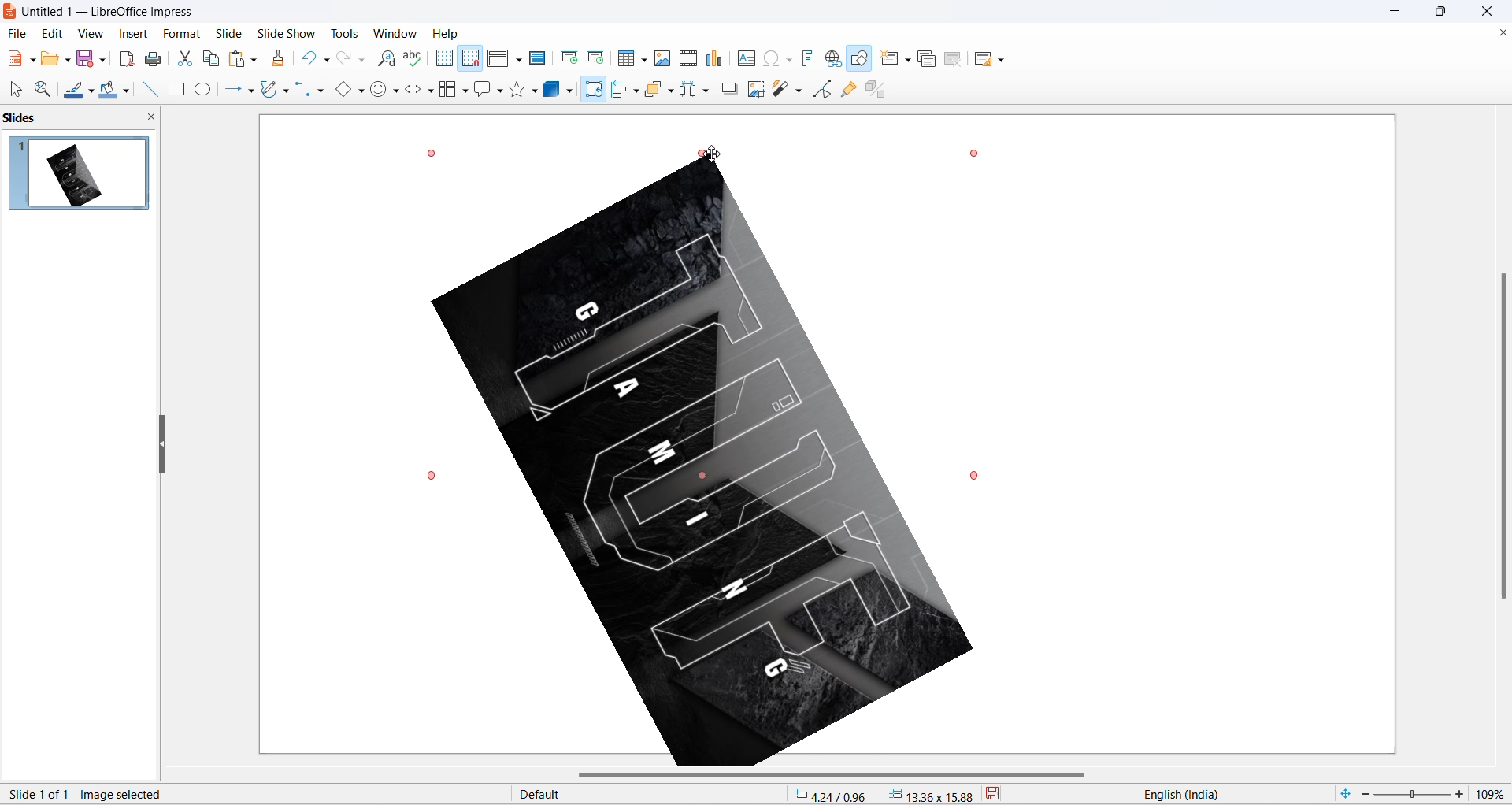 This screenshot has width=1512, height=805. I want to click on rotate, so click(592, 95).